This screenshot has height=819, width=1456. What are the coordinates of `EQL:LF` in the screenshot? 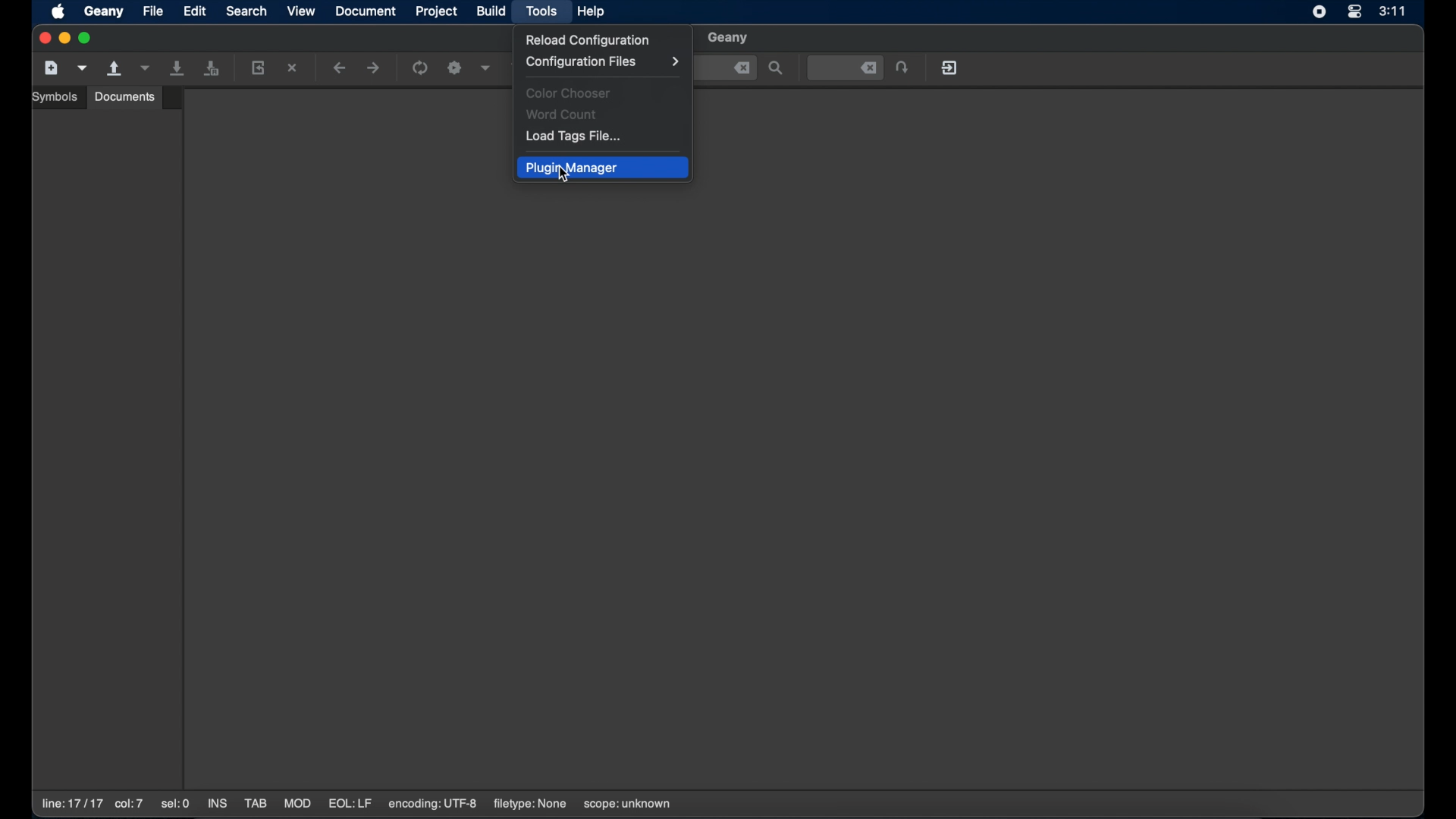 It's located at (350, 804).